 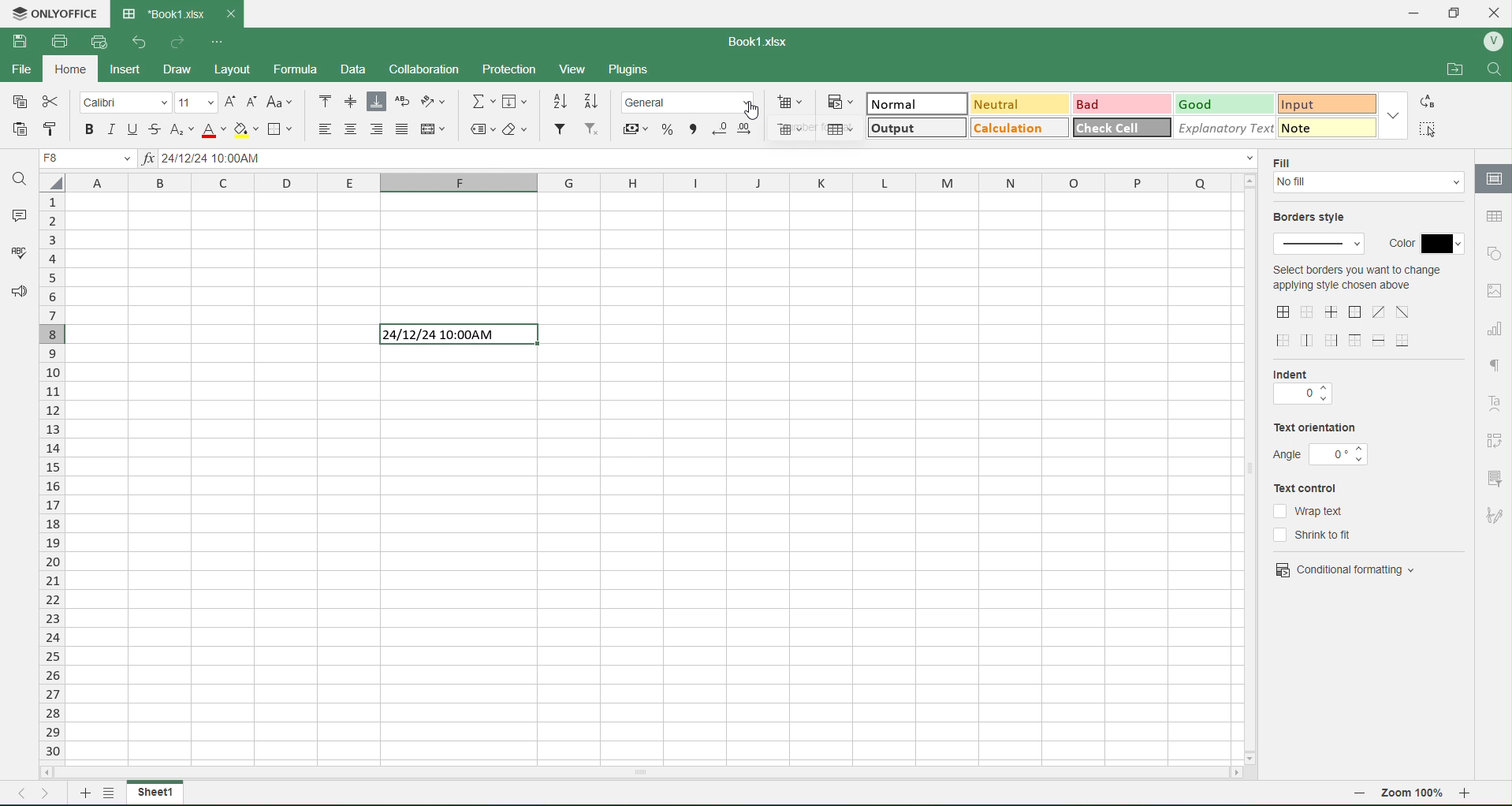 What do you see at coordinates (1284, 312) in the screenshot?
I see `all border` at bounding box center [1284, 312].